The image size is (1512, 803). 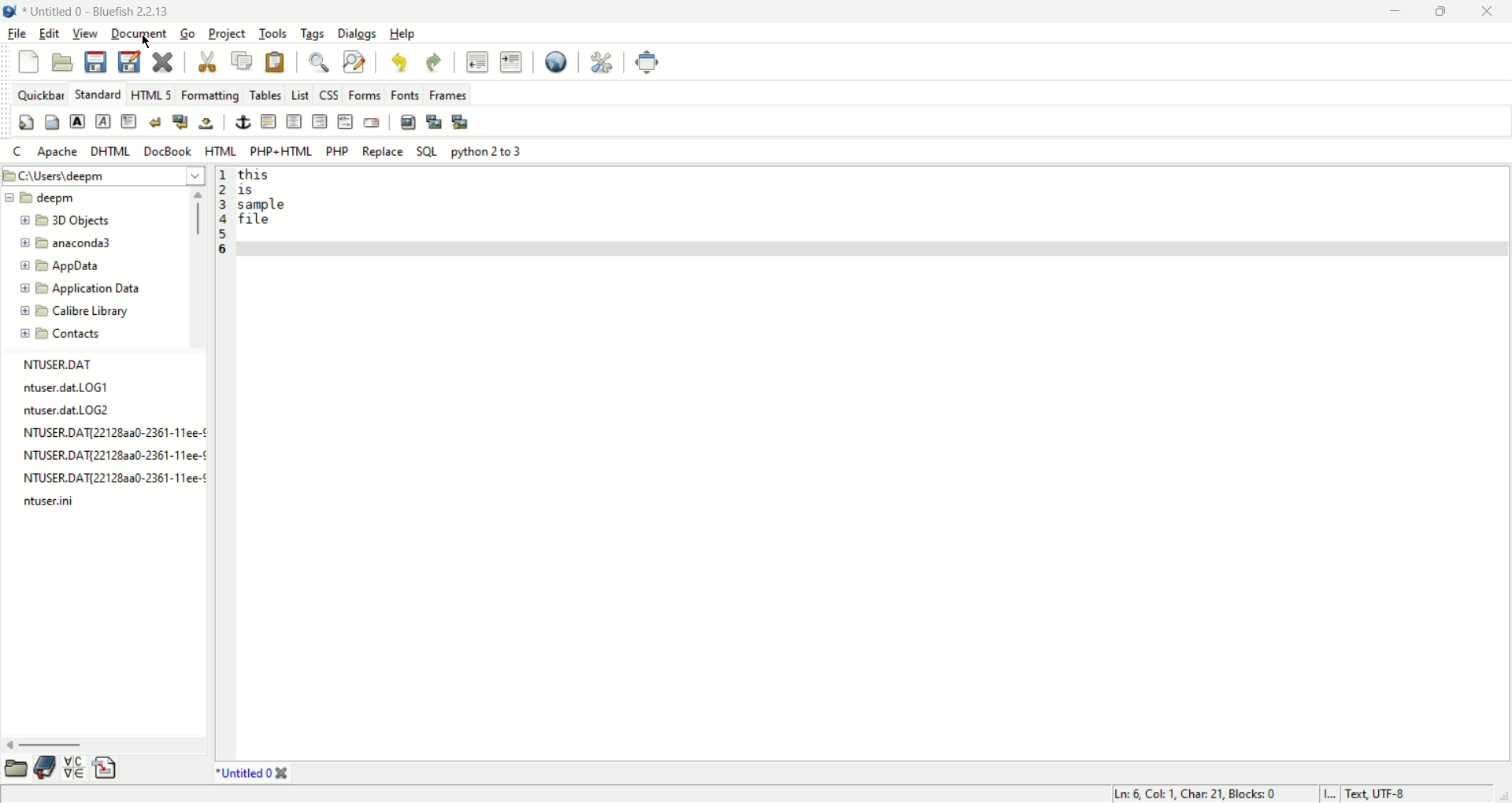 What do you see at coordinates (65, 220) in the screenshot?
I see `3D object` at bounding box center [65, 220].